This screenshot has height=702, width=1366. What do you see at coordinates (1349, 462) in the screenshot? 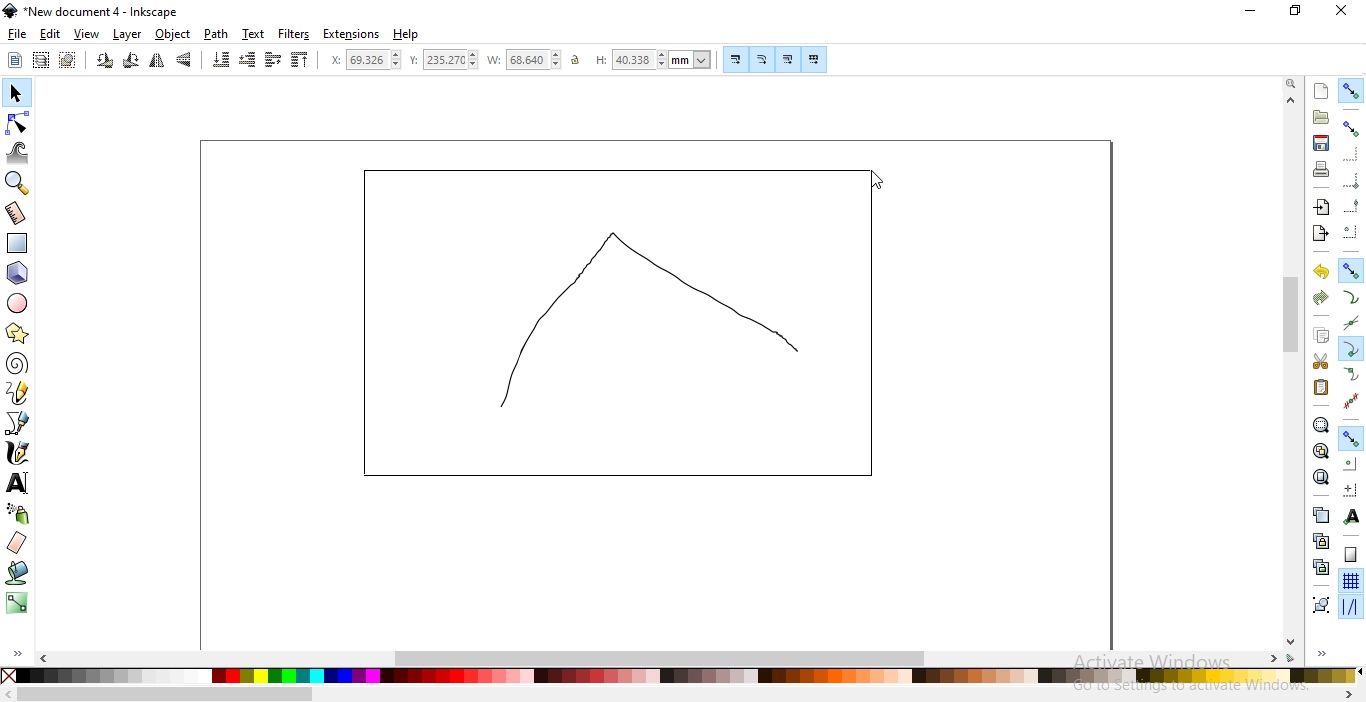
I see `snap centers of objects` at bounding box center [1349, 462].